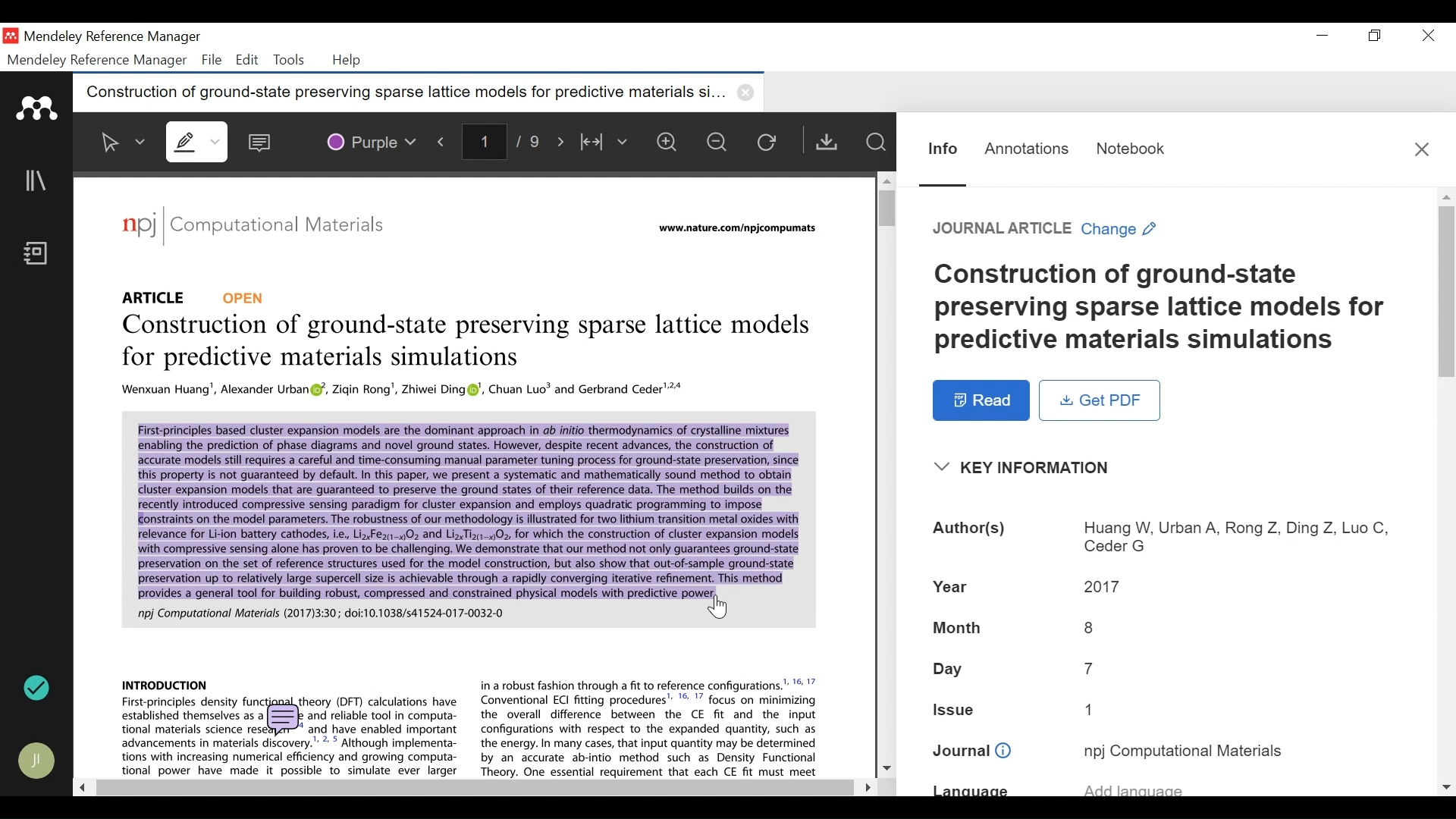 Image resolution: width=1456 pixels, height=819 pixels. What do you see at coordinates (195, 297) in the screenshot?
I see `Reference Type` at bounding box center [195, 297].